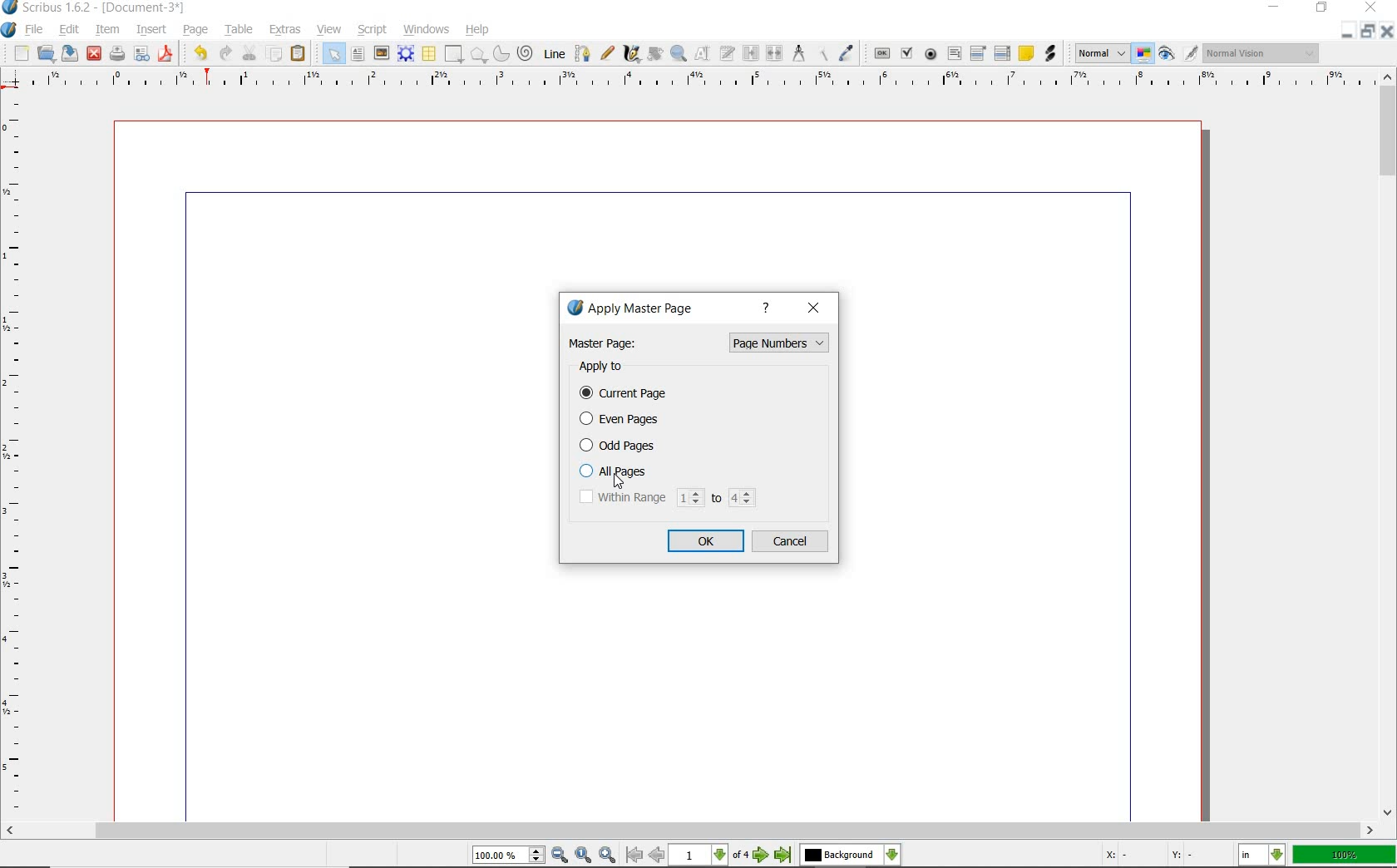  What do you see at coordinates (142, 54) in the screenshot?
I see `preflight verifier` at bounding box center [142, 54].